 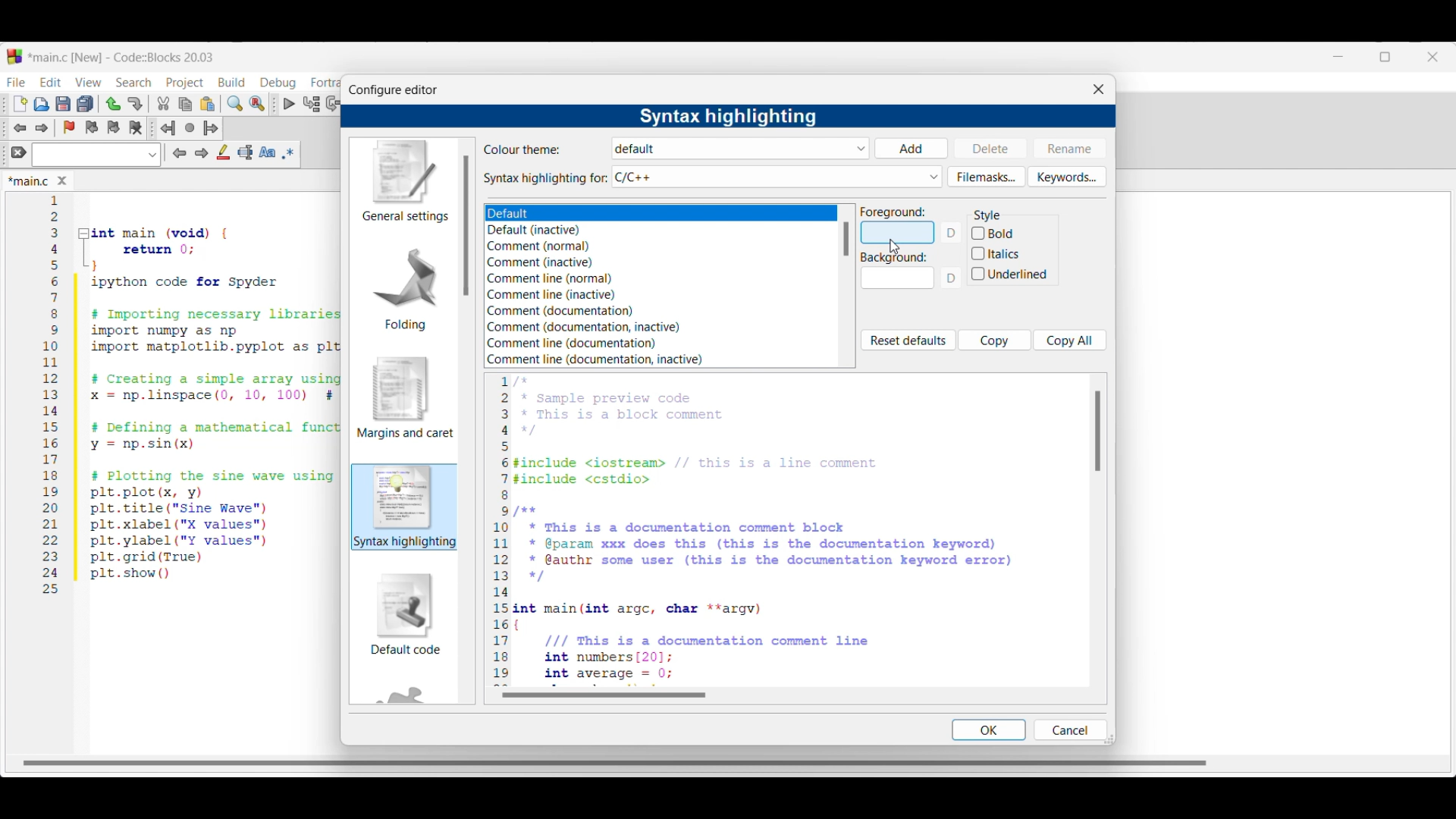 What do you see at coordinates (257, 104) in the screenshot?
I see `Replace` at bounding box center [257, 104].